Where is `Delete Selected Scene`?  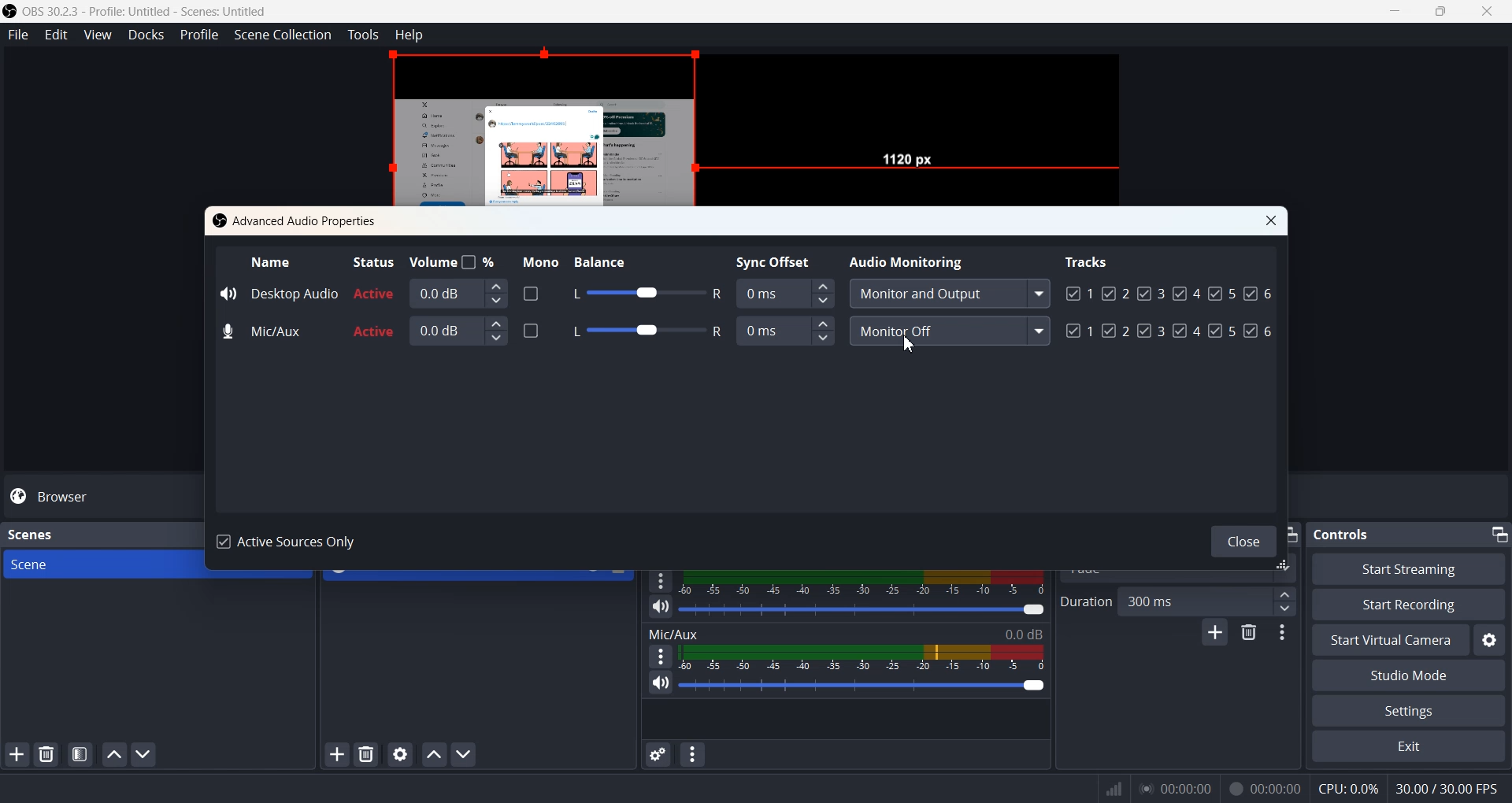 Delete Selected Scene is located at coordinates (46, 755).